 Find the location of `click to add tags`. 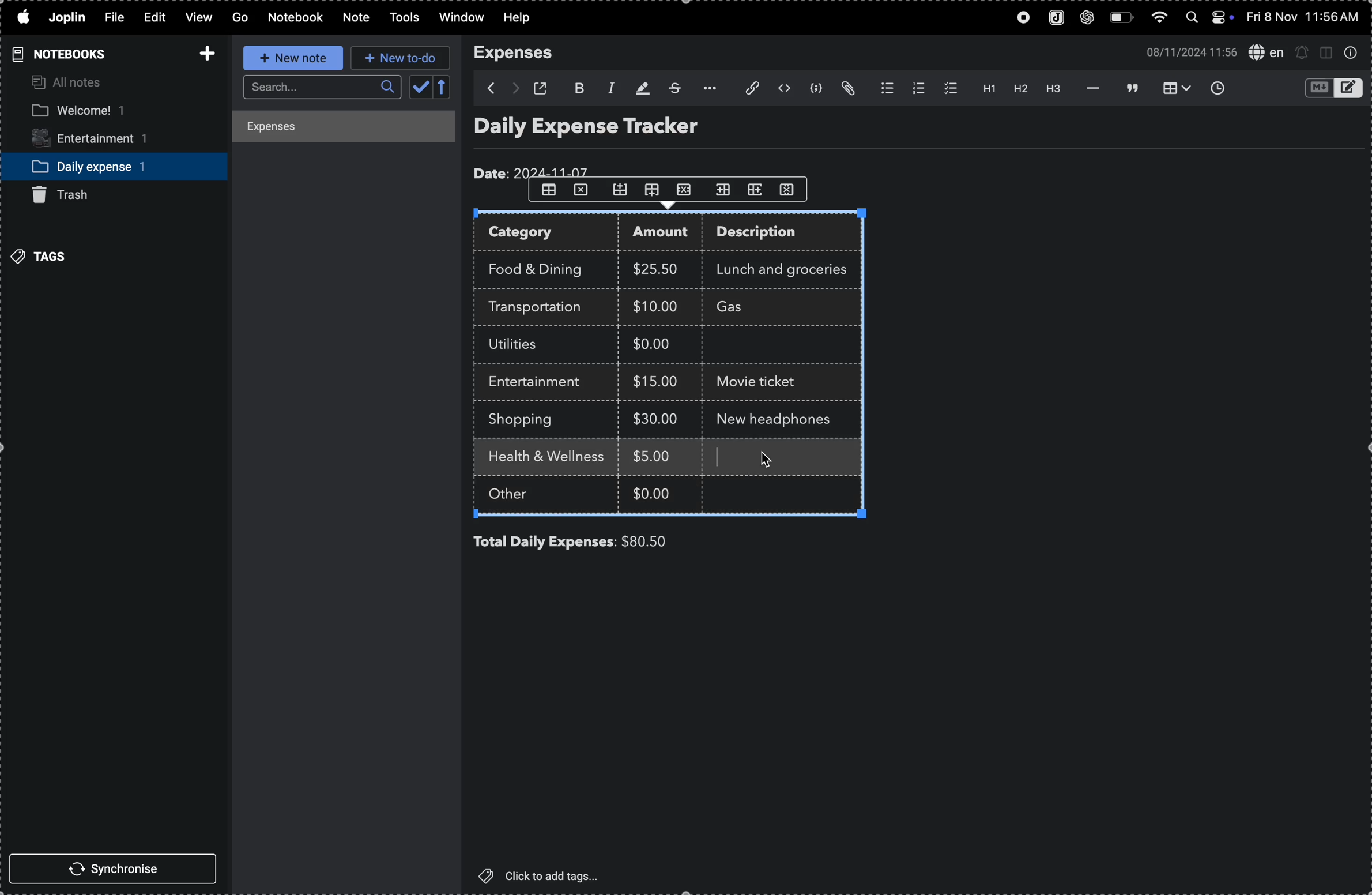

click to add tags is located at coordinates (546, 875).